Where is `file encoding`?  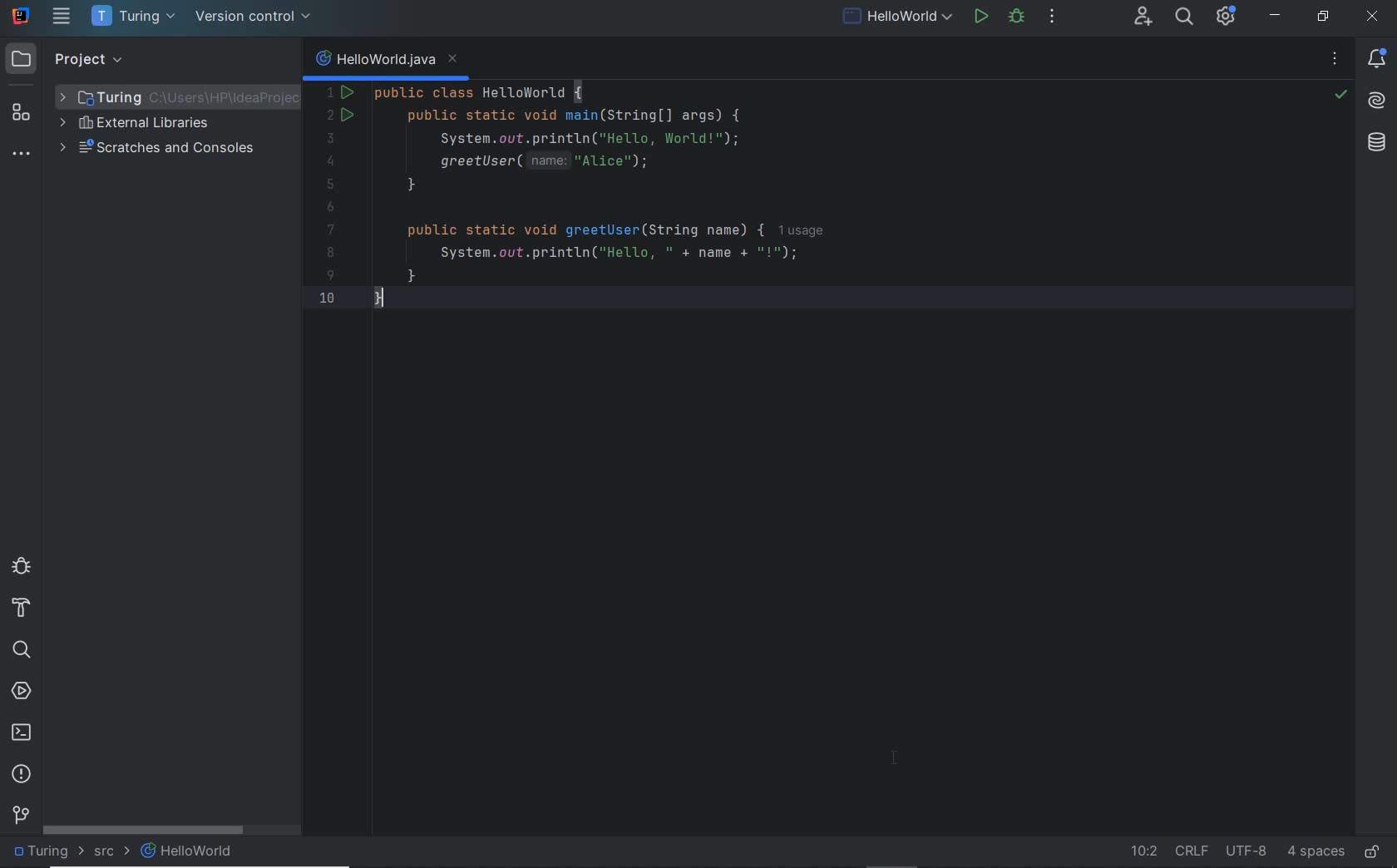 file encoding is located at coordinates (1247, 851).